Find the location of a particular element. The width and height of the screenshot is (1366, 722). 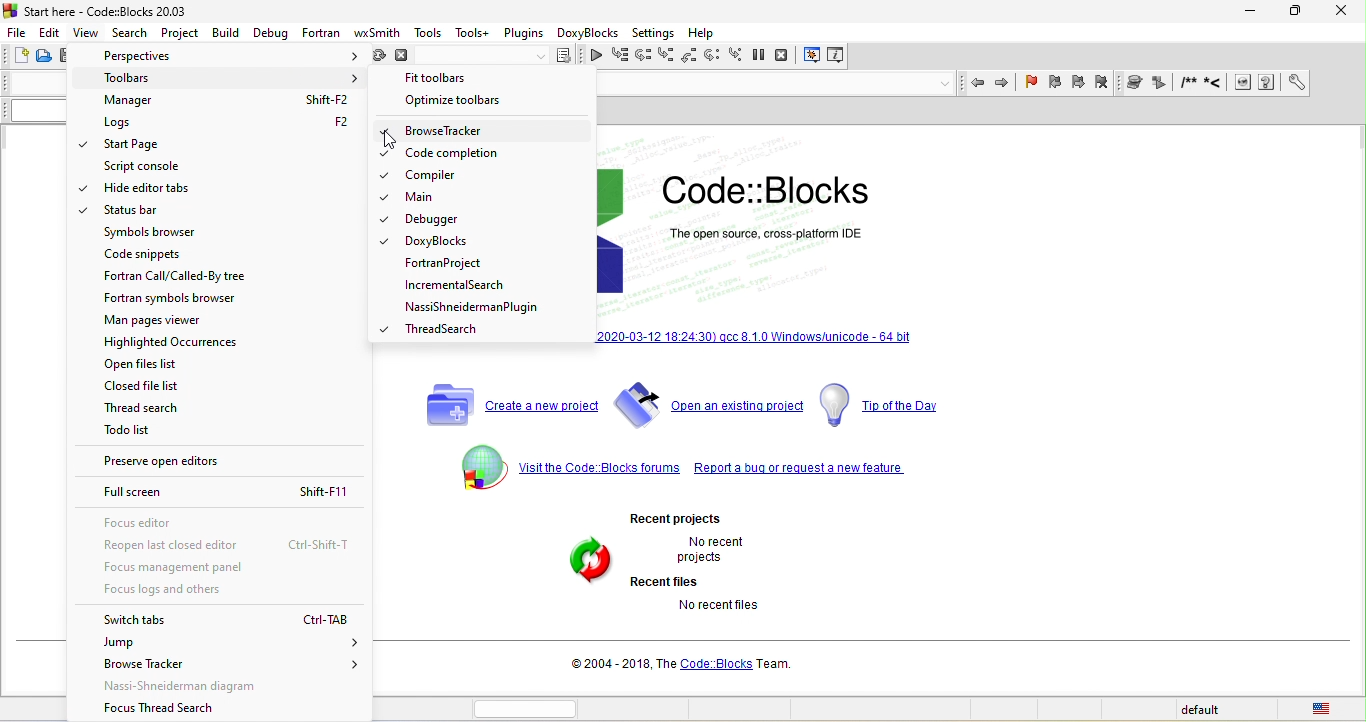

next instruction is located at coordinates (711, 56).